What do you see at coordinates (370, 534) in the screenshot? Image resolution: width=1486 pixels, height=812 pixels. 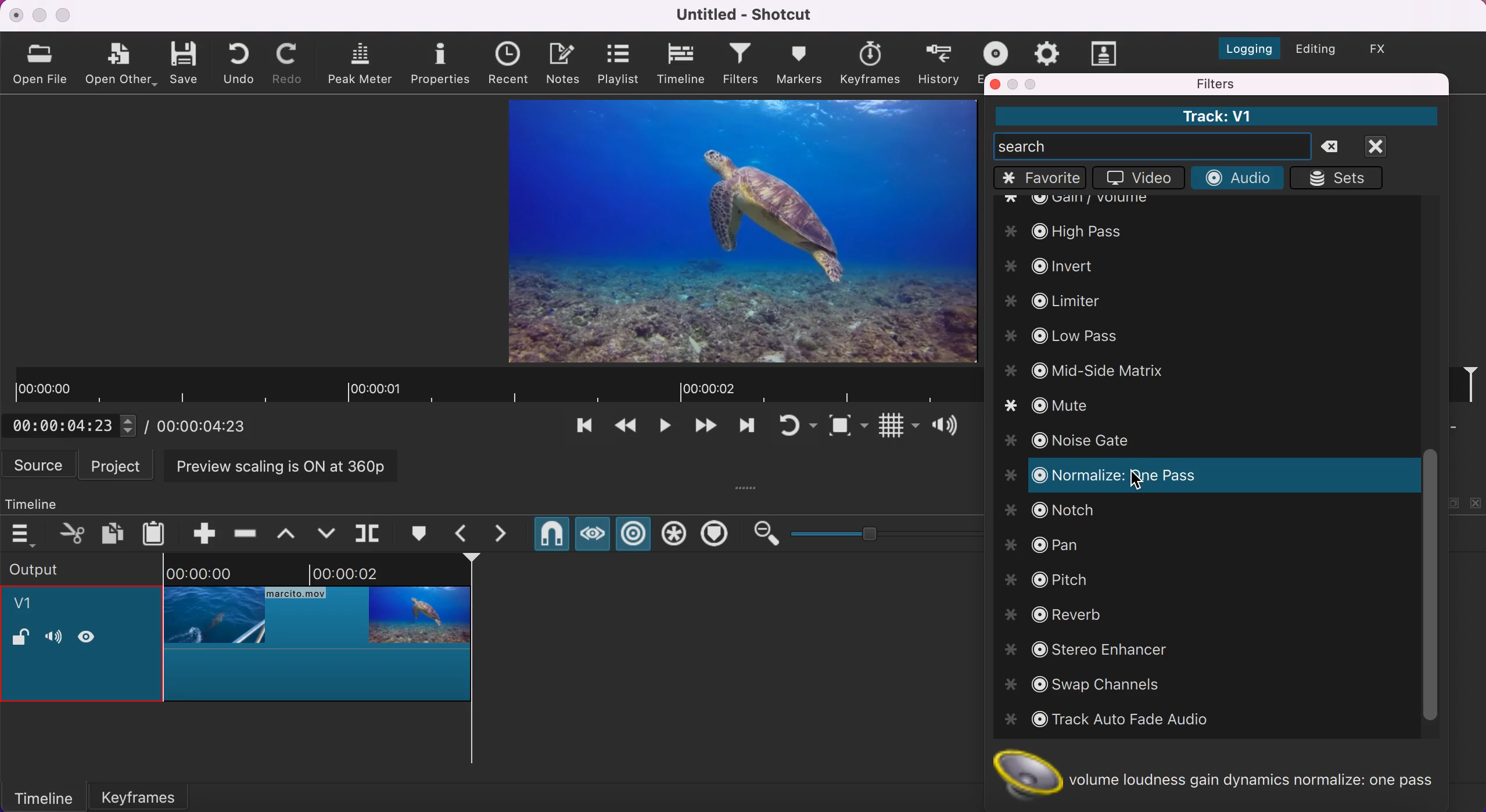 I see `split at playhead` at bounding box center [370, 534].